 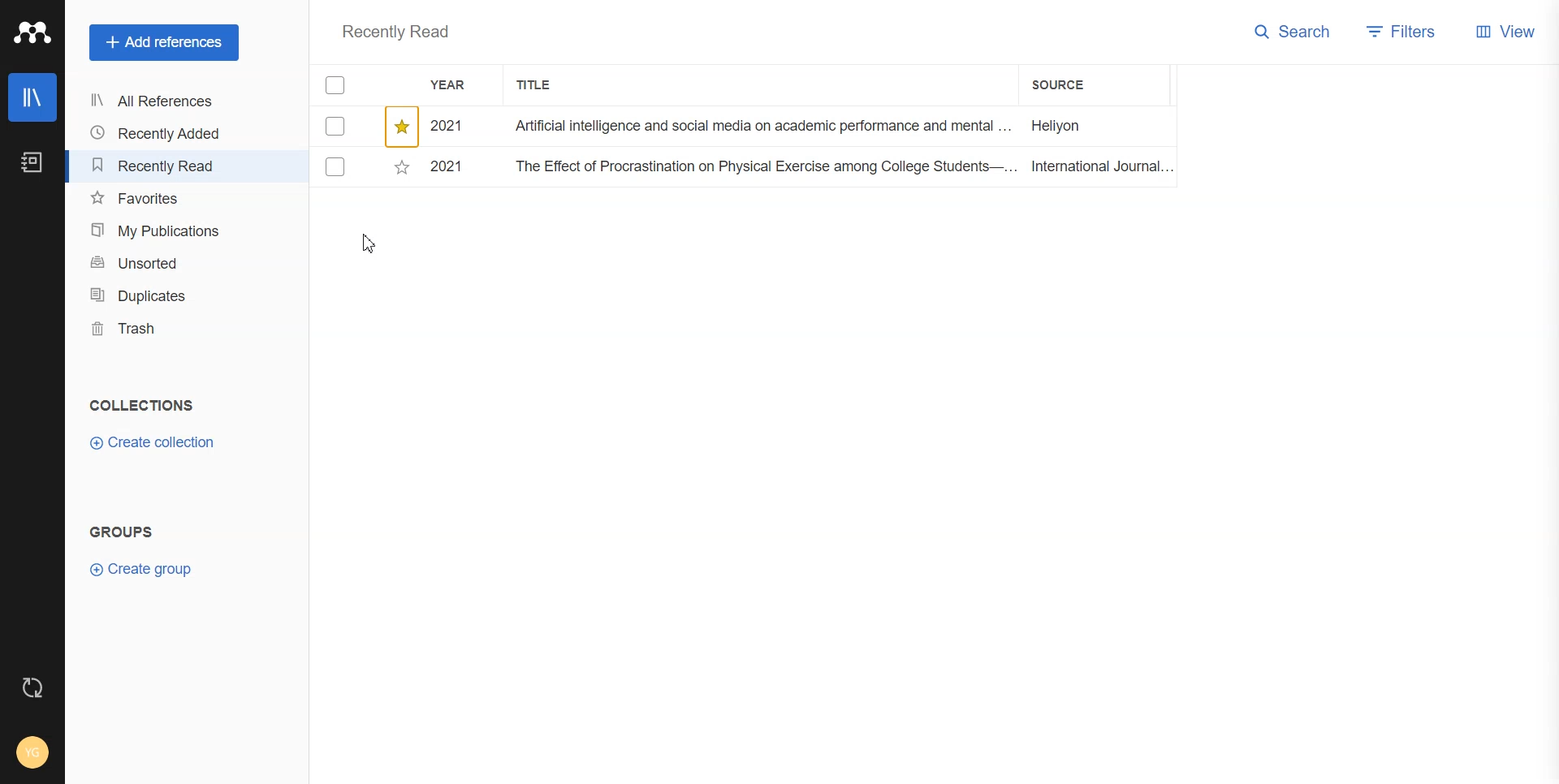 What do you see at coordinates (160, 165) in the screenshot?
I see `Recently Read` at bounding box center [160, 165].